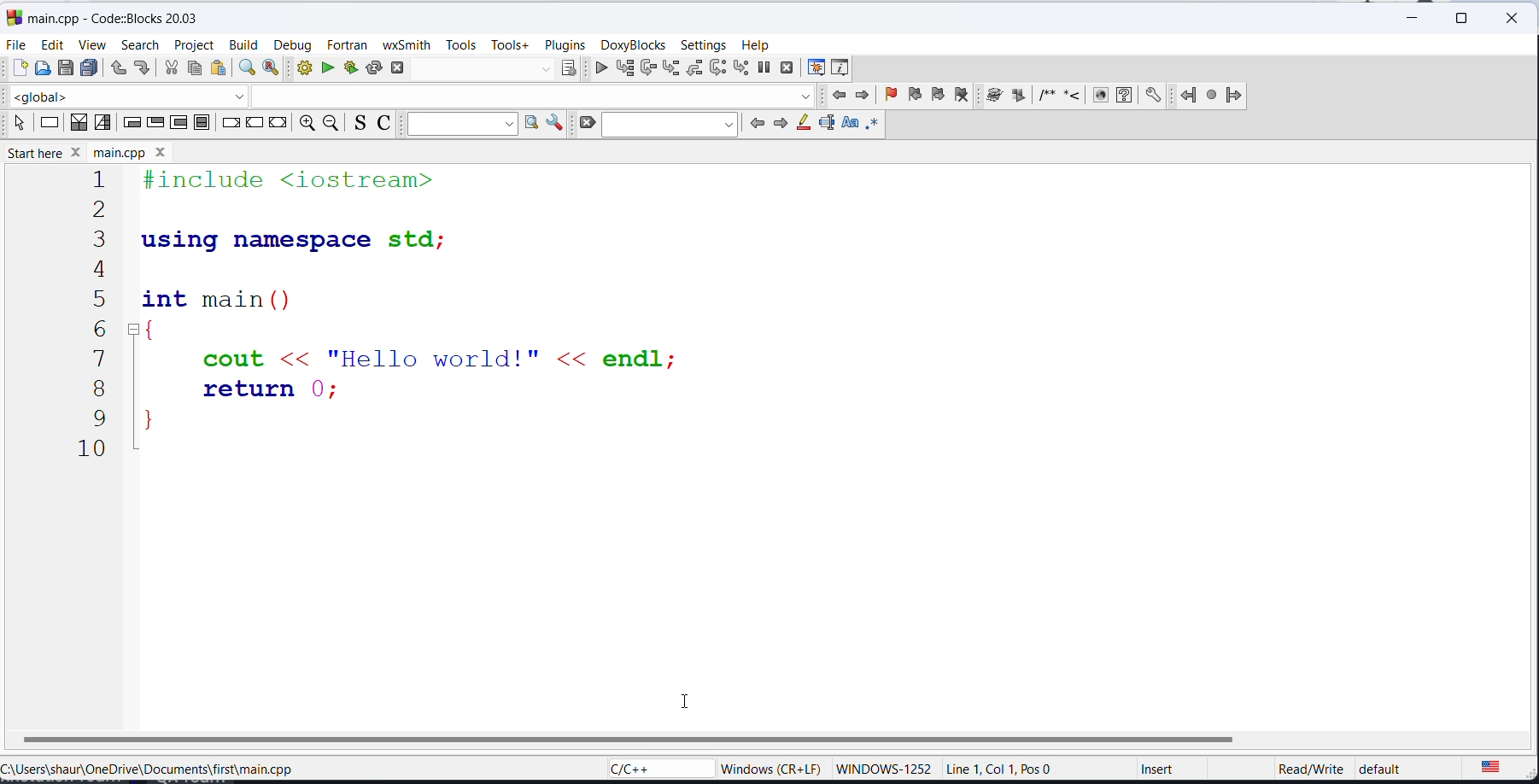 This screenshot has height=784, width=1539. I want to click on Start here, so click(48, 151).